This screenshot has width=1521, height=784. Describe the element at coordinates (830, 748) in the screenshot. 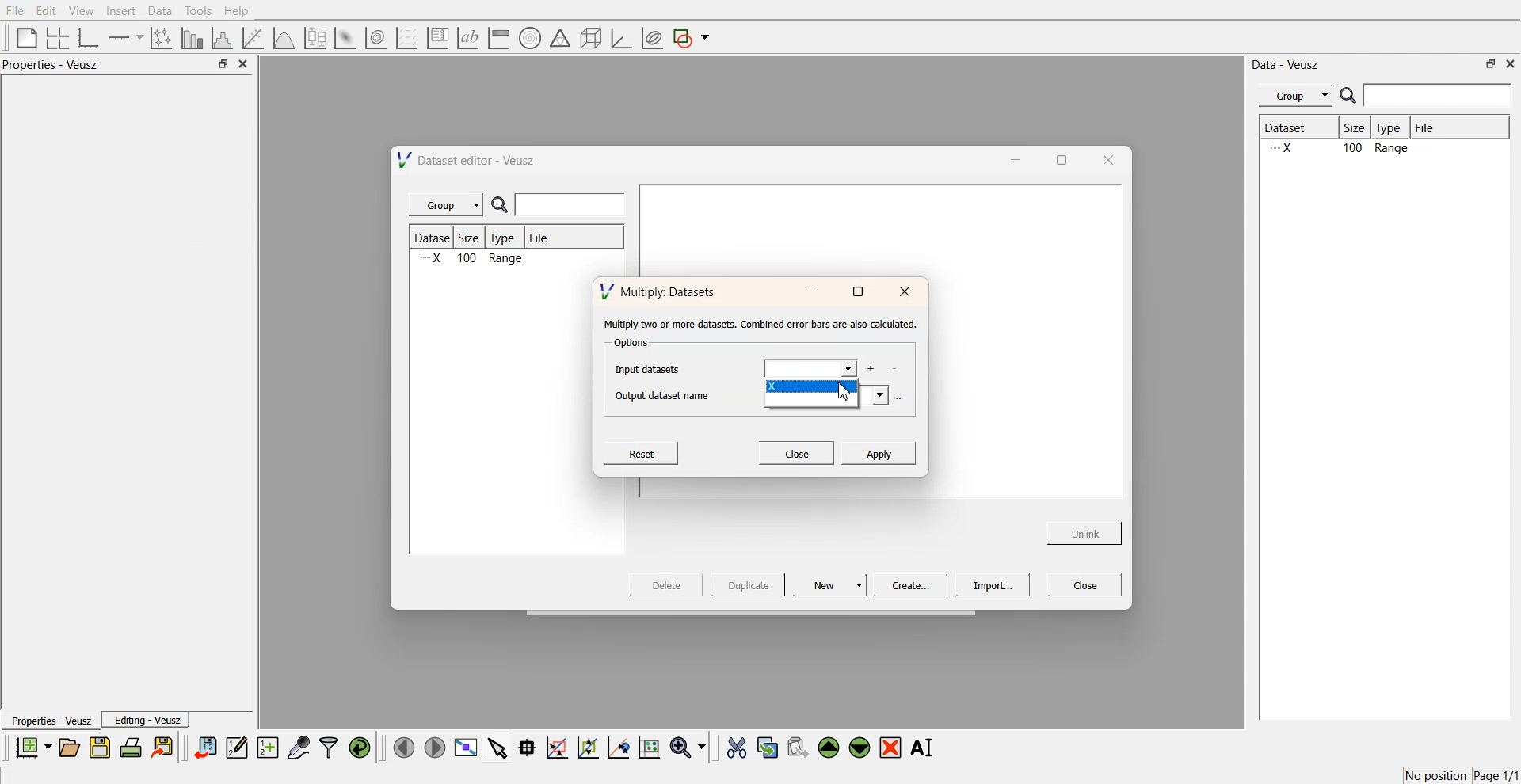

I see `move the selected widgets up` at that location.